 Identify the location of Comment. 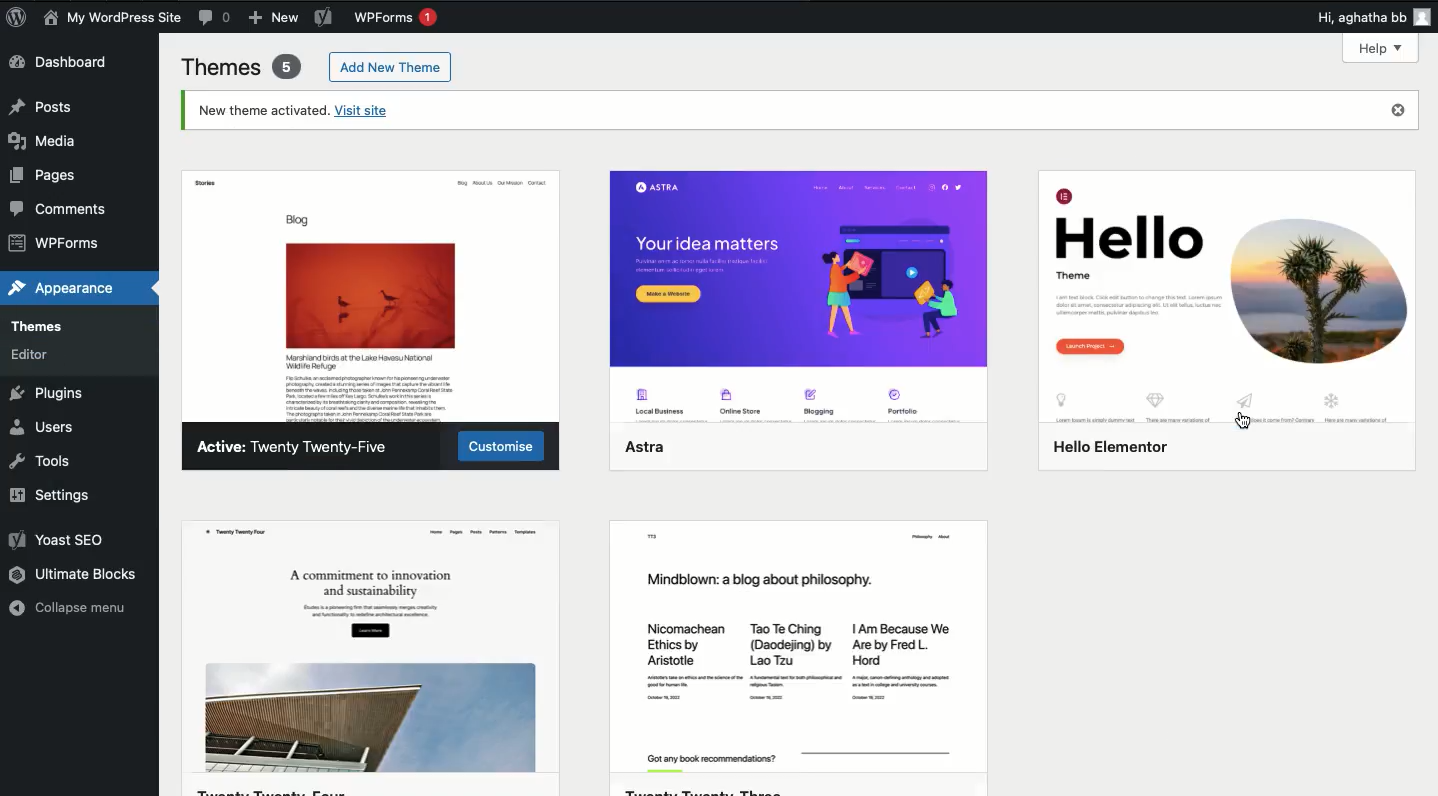
(218, 18).